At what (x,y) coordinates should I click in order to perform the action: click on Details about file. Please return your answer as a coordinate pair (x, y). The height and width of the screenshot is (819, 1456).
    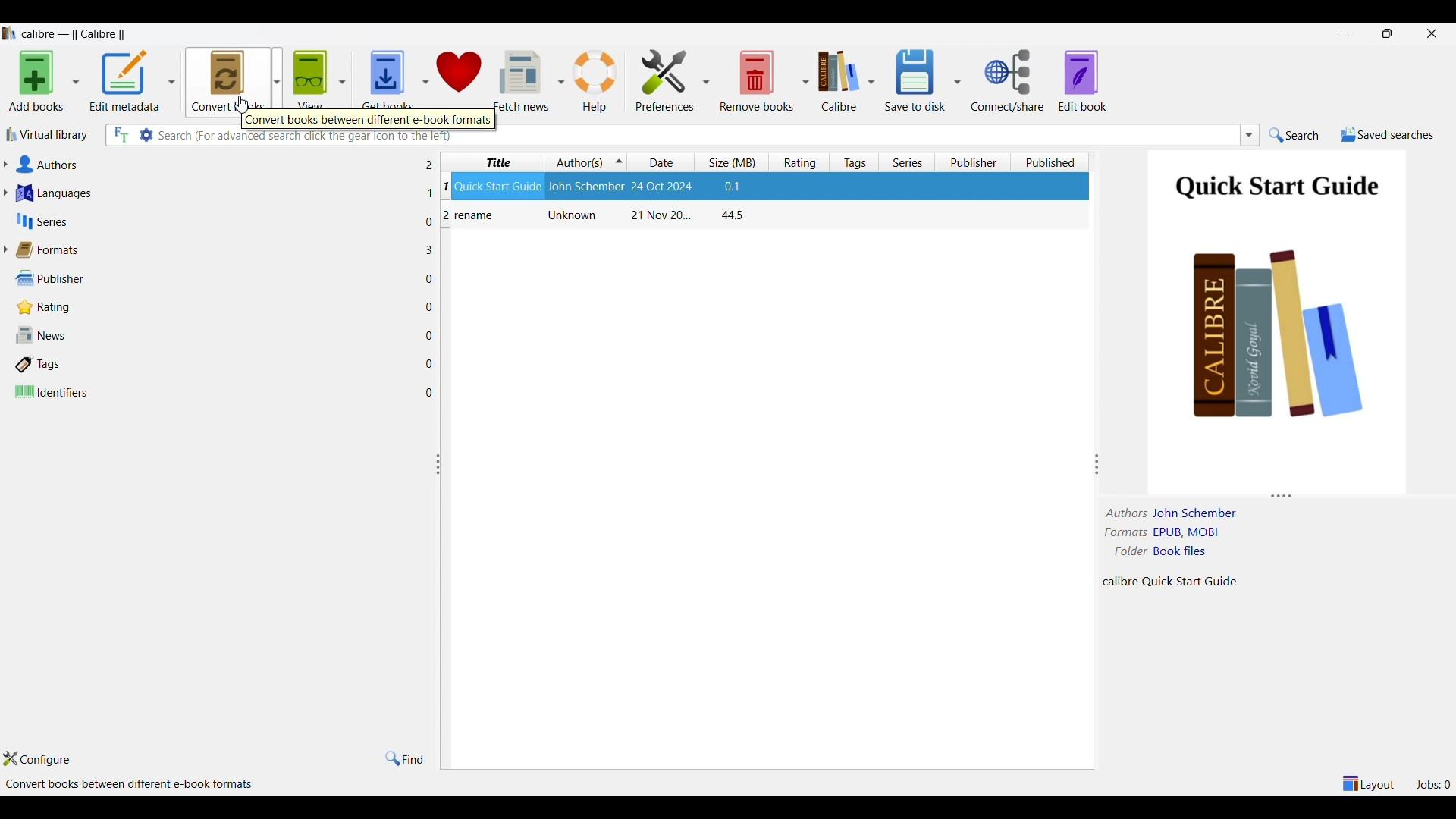
    Looking at the image, I should click on (1172, 582).